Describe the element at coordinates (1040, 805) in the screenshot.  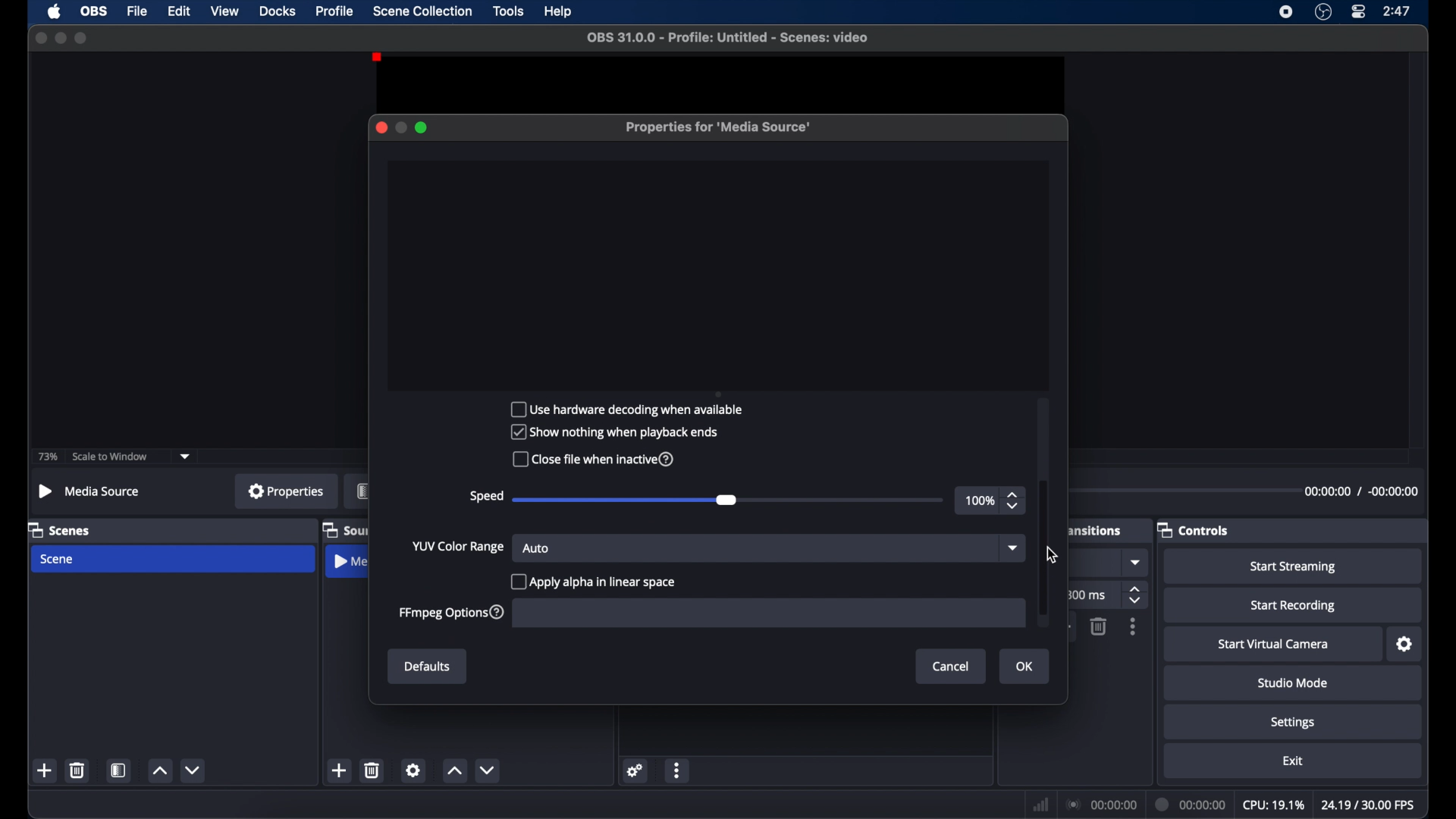
I see `network` at that location.